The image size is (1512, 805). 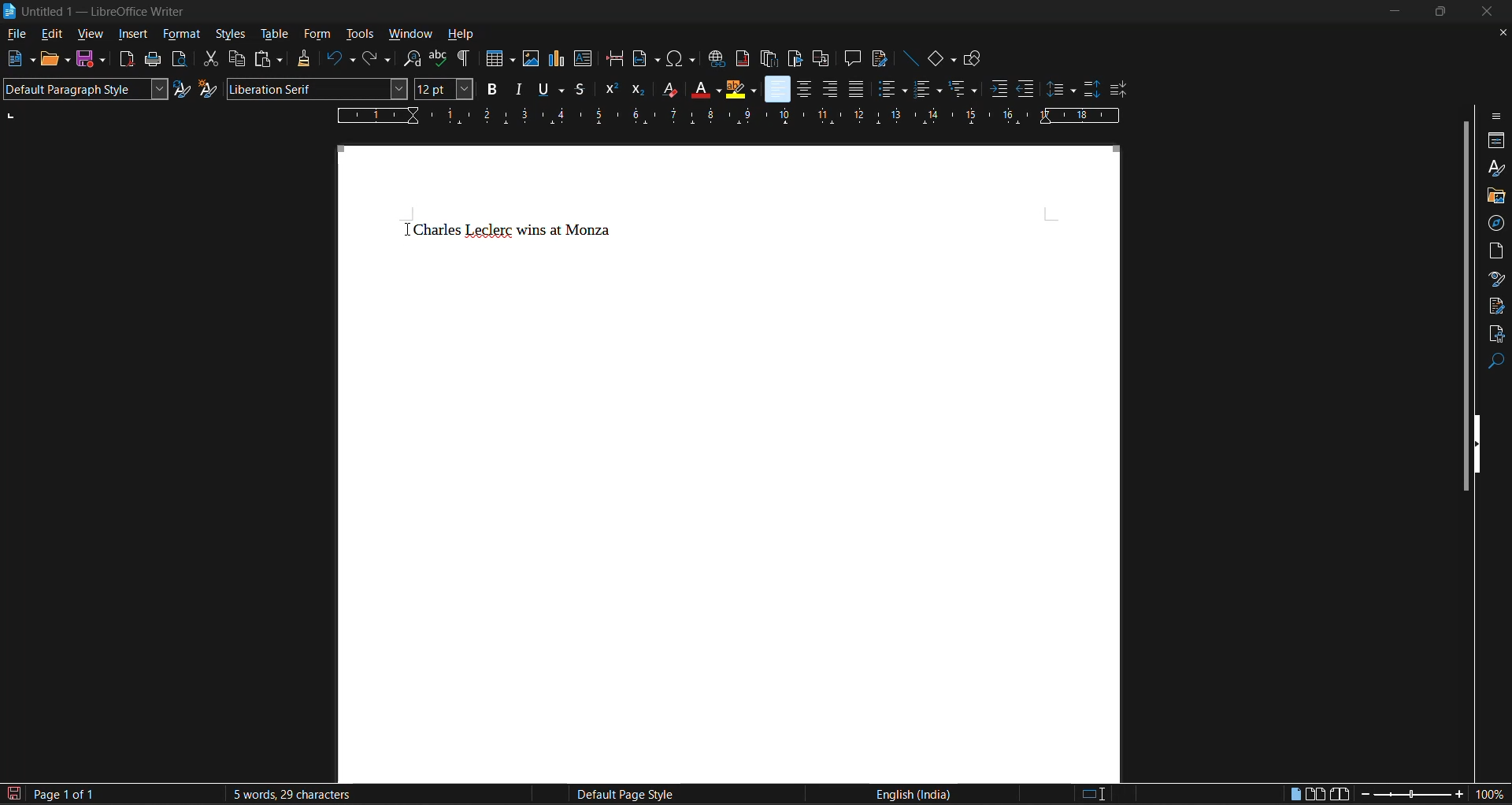 I want to click on insert field, so click(x=647, y=59).